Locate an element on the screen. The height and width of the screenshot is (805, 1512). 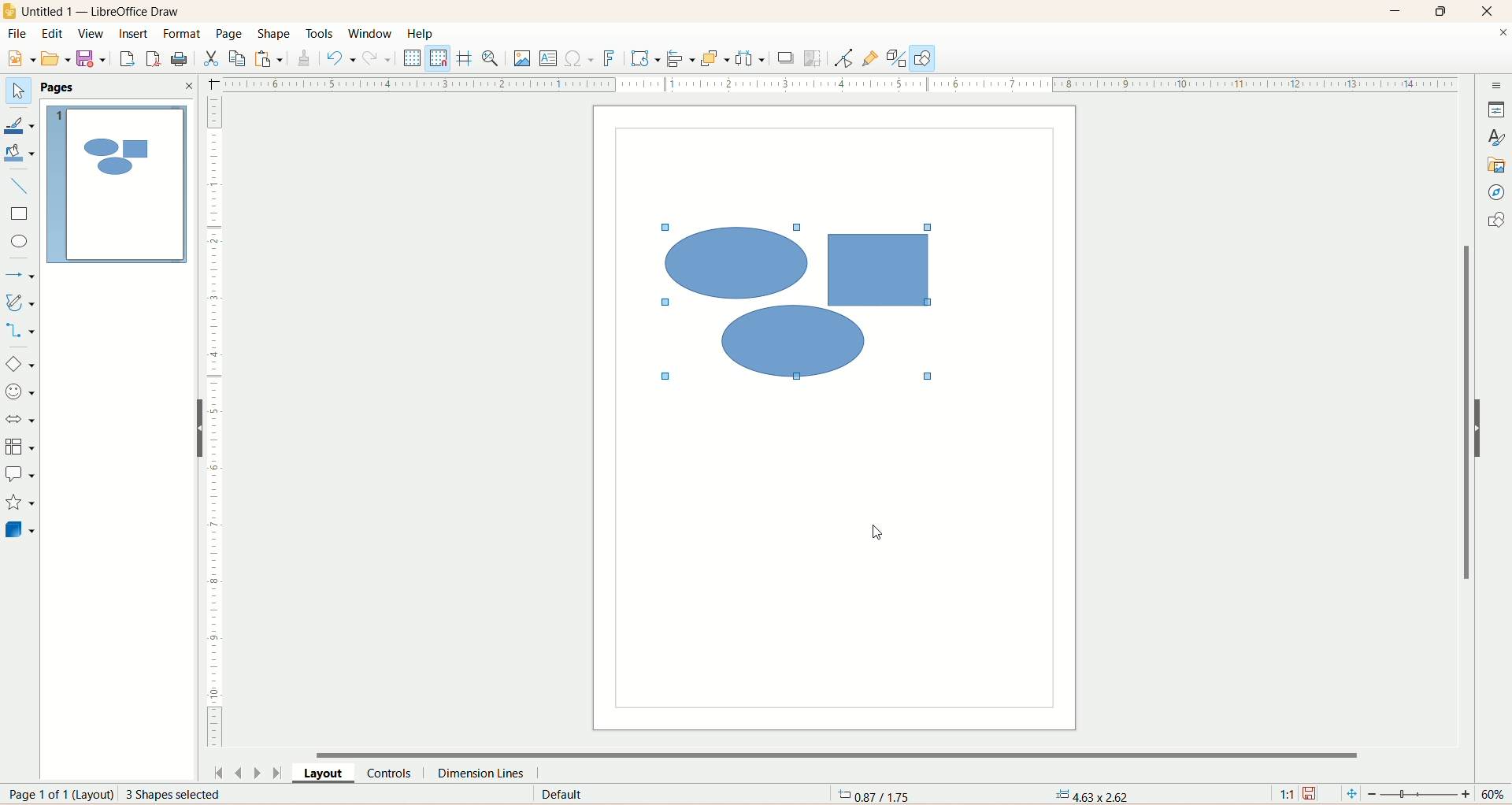
last page is located at coordinates (281, 772).